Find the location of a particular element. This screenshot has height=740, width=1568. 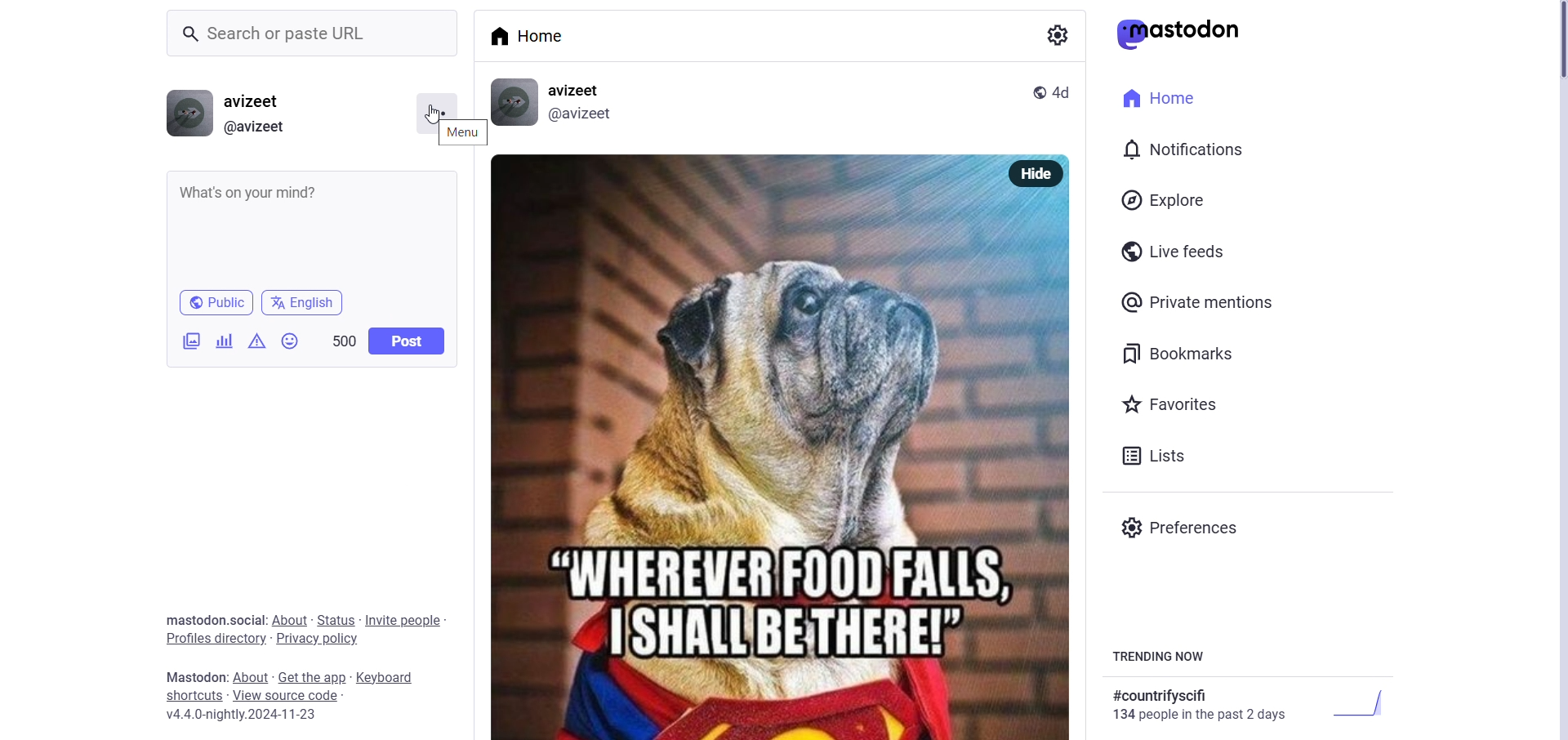

profiles is located at coordinates (209, 639).